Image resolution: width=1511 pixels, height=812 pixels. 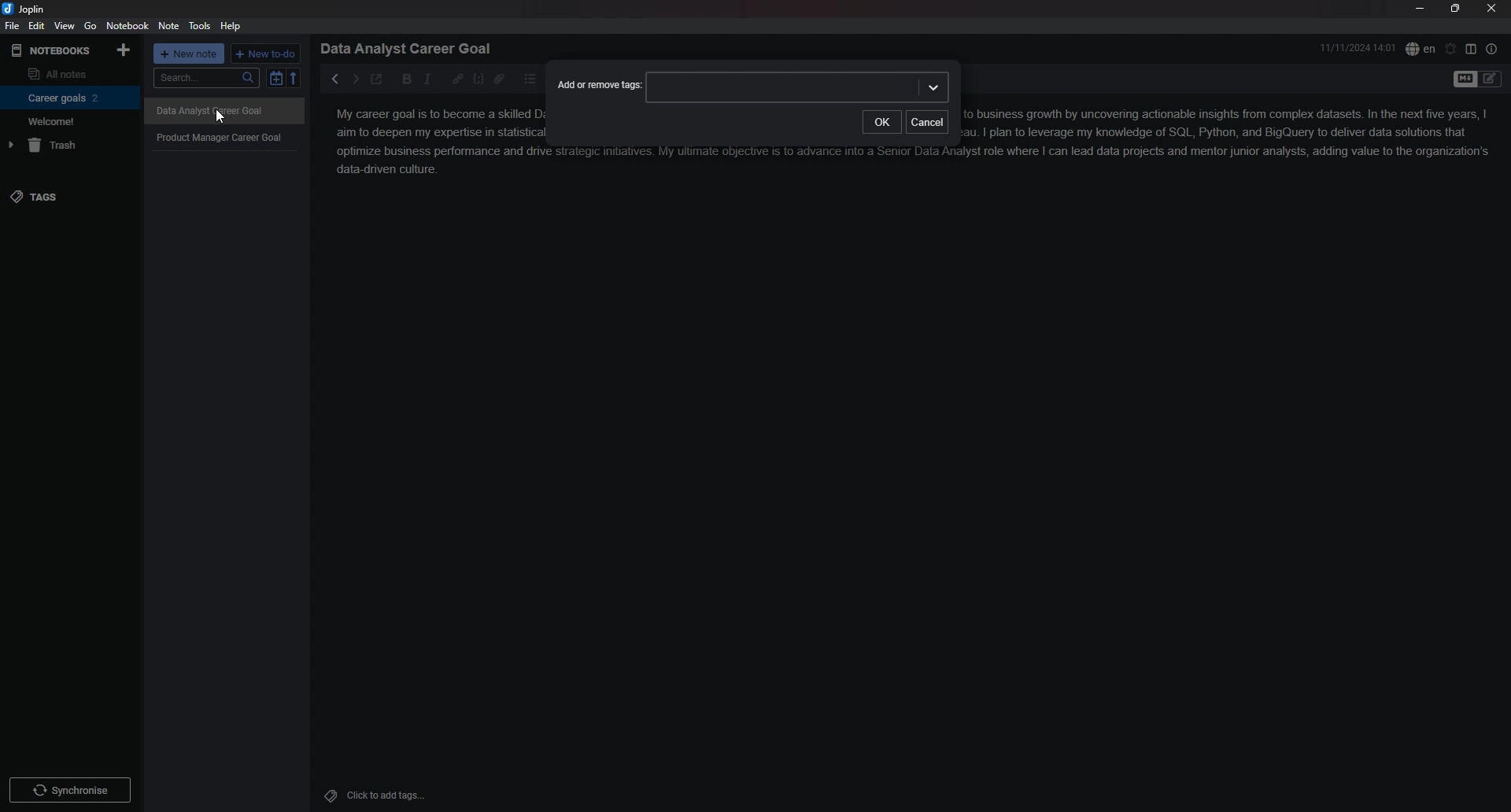 What do you see at coordinates (225, 137) in the screenshot?
I see `Product Manager Career Goal` at bounding box center [225, 137].